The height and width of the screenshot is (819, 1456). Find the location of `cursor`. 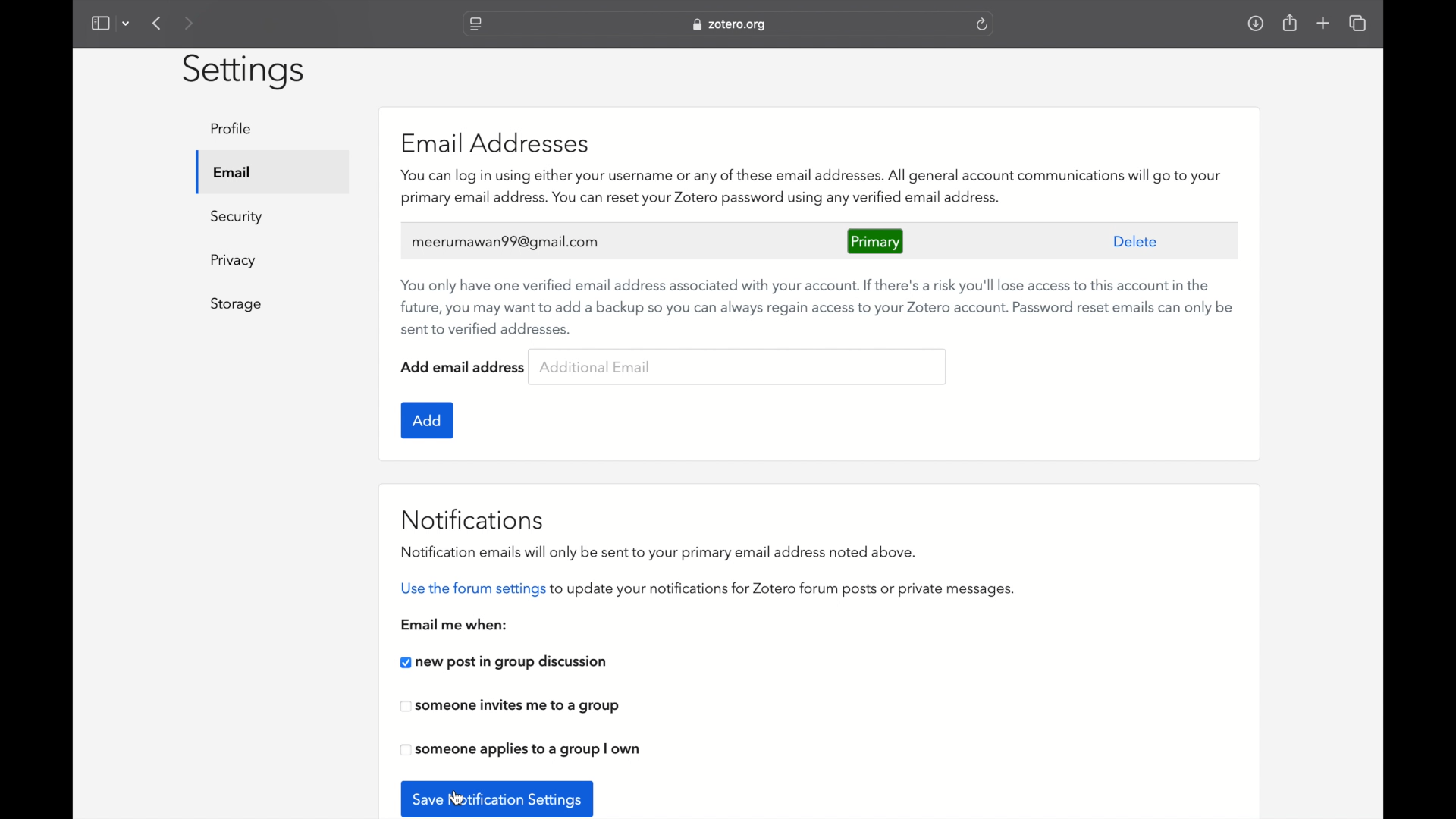

cursor is located at coordinates (457, 799).